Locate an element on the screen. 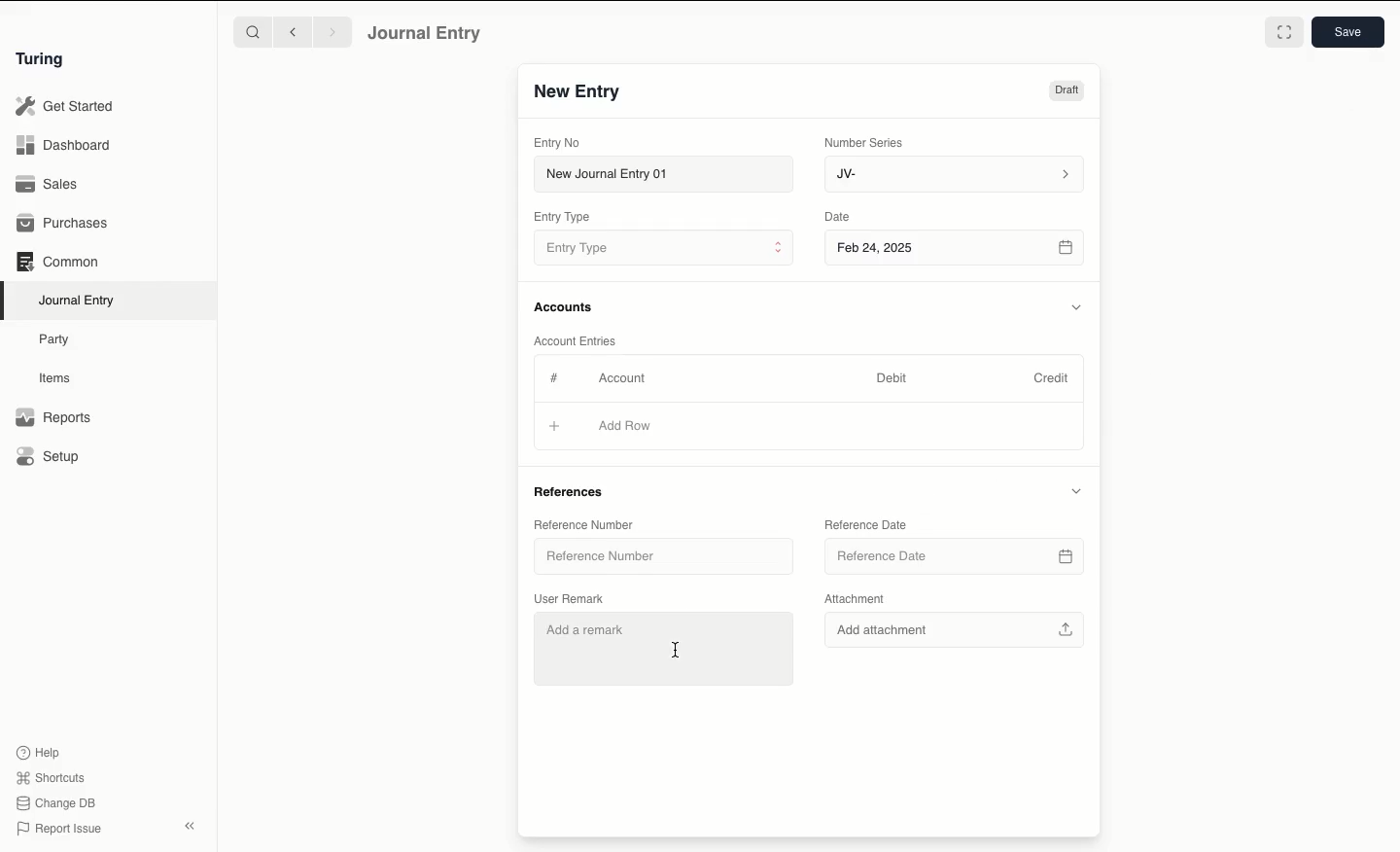 This screenshot has height=852, width=1400. Reference Number is located at coordinates (582, 524).